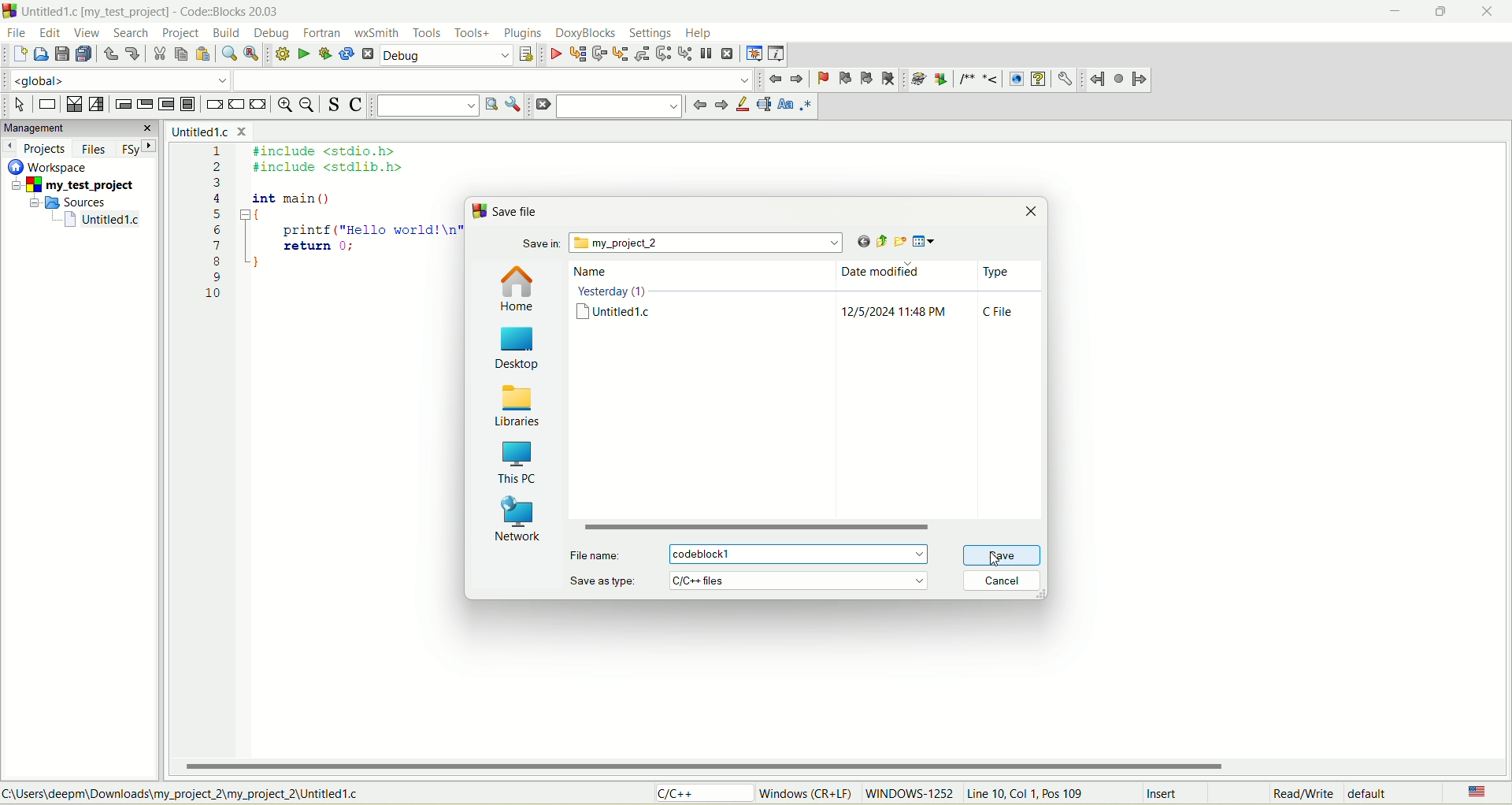 The height and width of the screenshot is (805, 1512). Describe the element at coordinates (42, 54) in the screenshot. I see `open` at that location.